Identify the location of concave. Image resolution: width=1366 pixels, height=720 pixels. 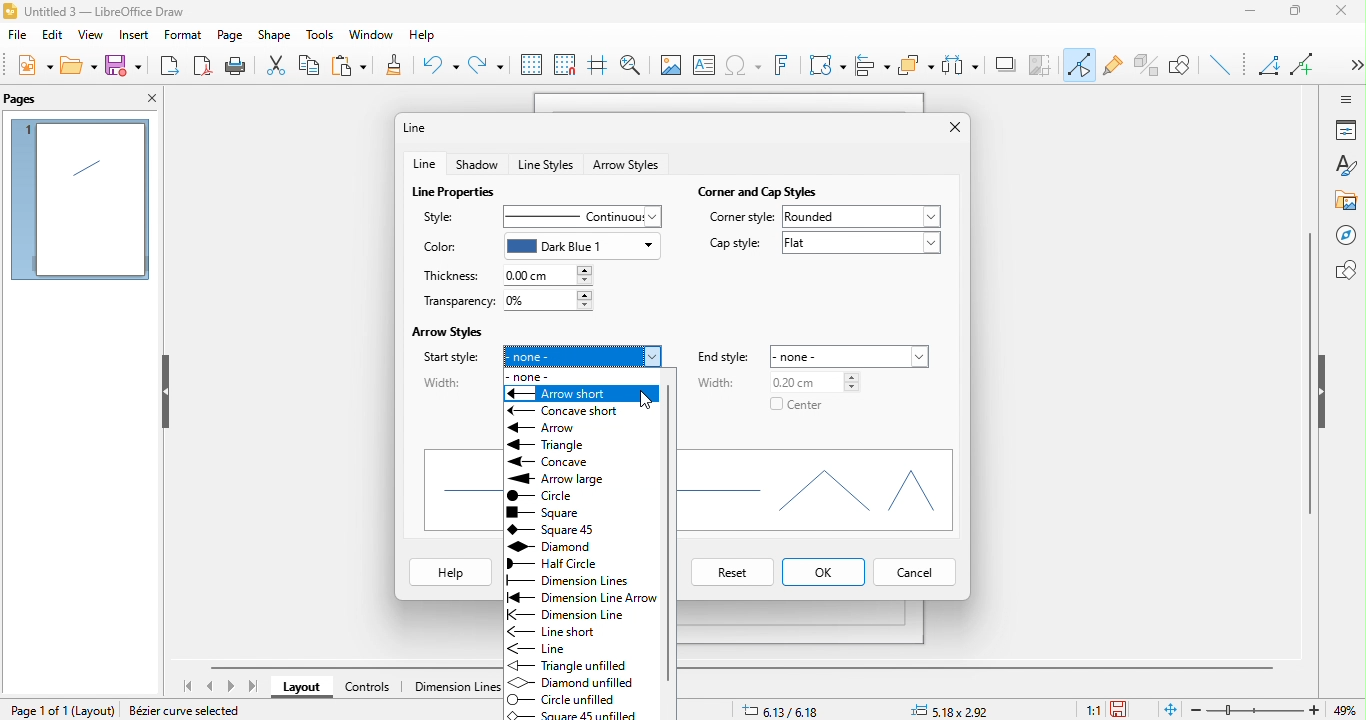
(561, 460).